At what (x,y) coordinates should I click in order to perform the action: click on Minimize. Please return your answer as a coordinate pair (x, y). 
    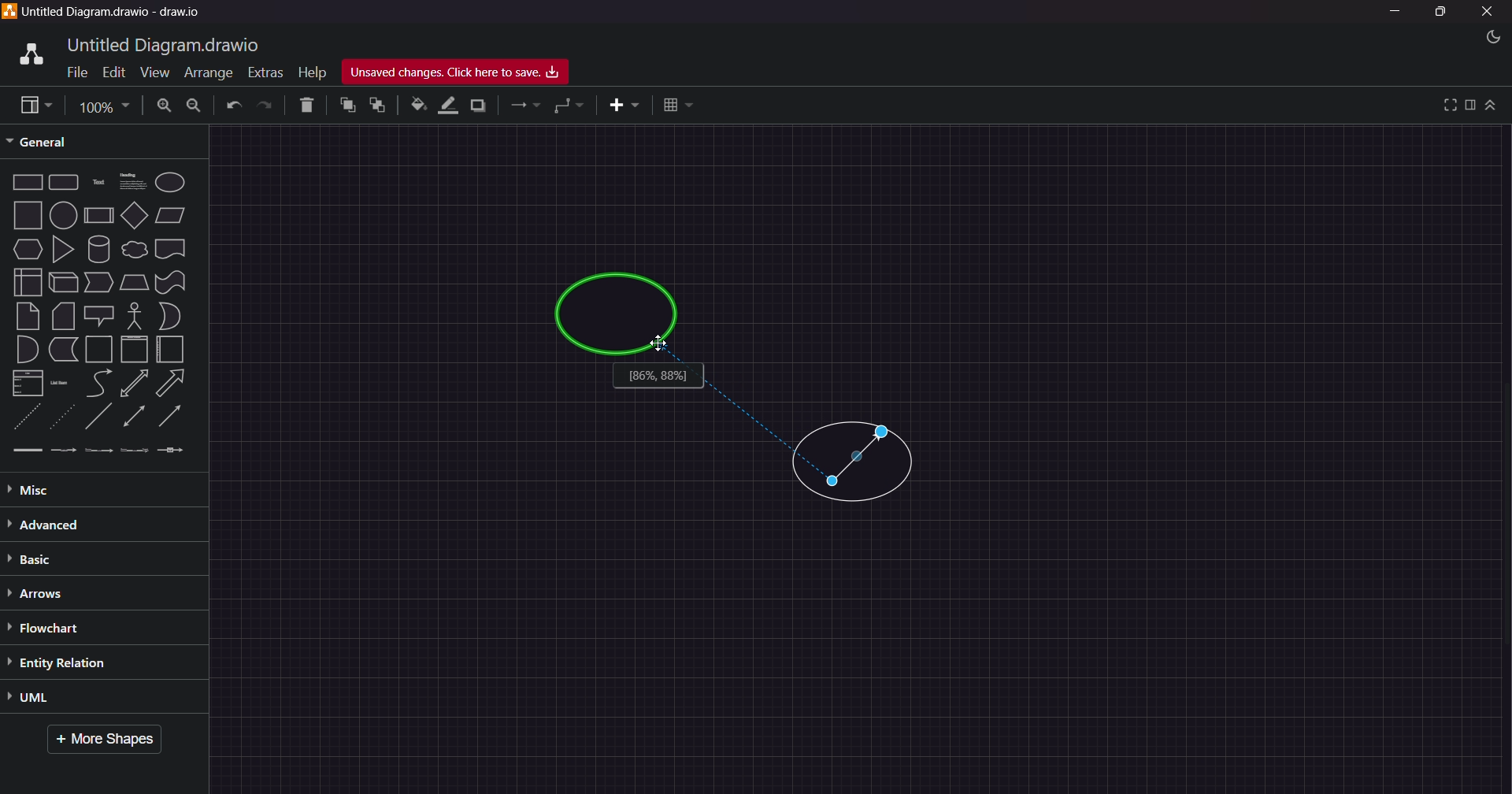
    Looking at the image, I should click on (1399, 13).